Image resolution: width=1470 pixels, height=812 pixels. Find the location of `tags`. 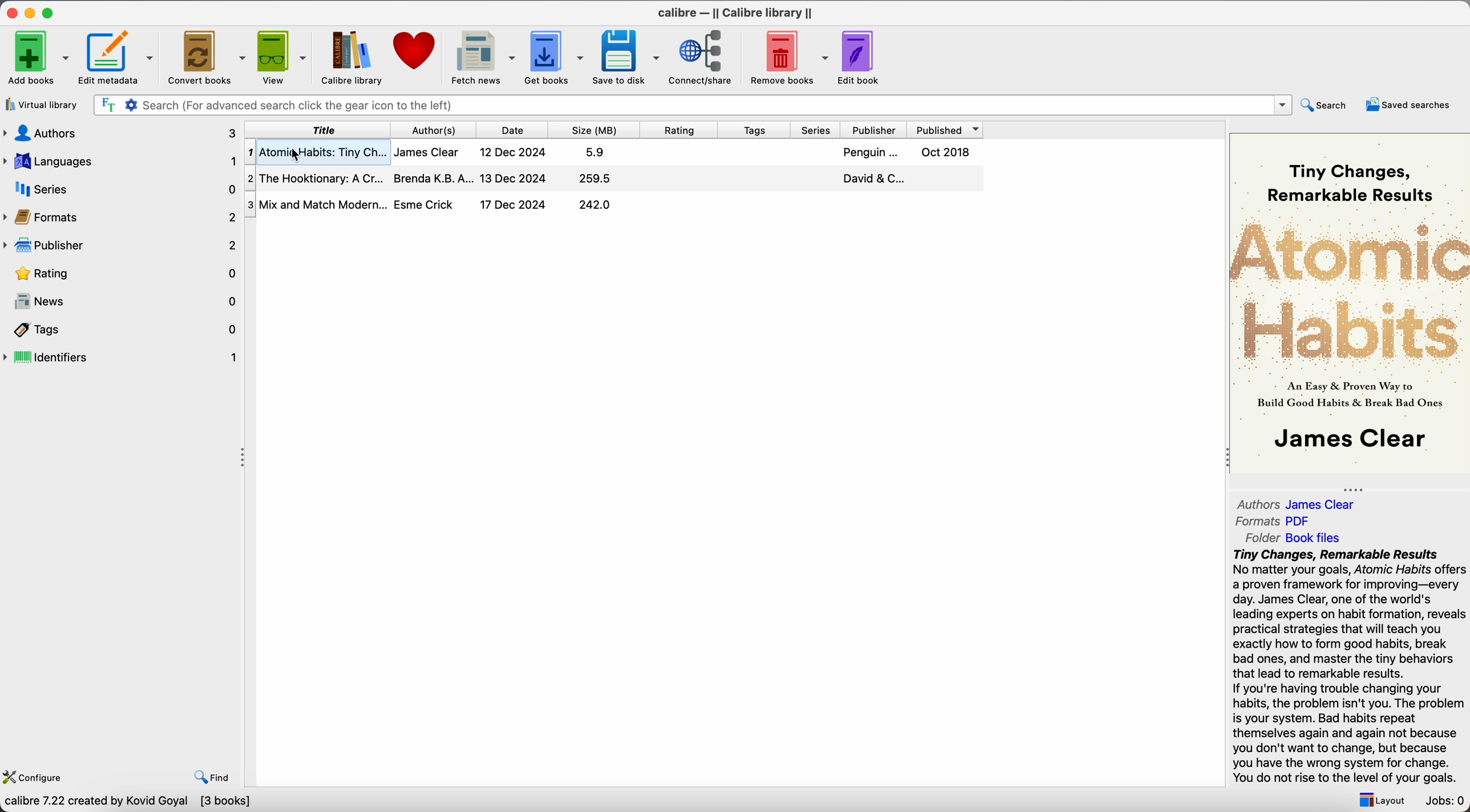

tags is located at coordinates (127, 330).